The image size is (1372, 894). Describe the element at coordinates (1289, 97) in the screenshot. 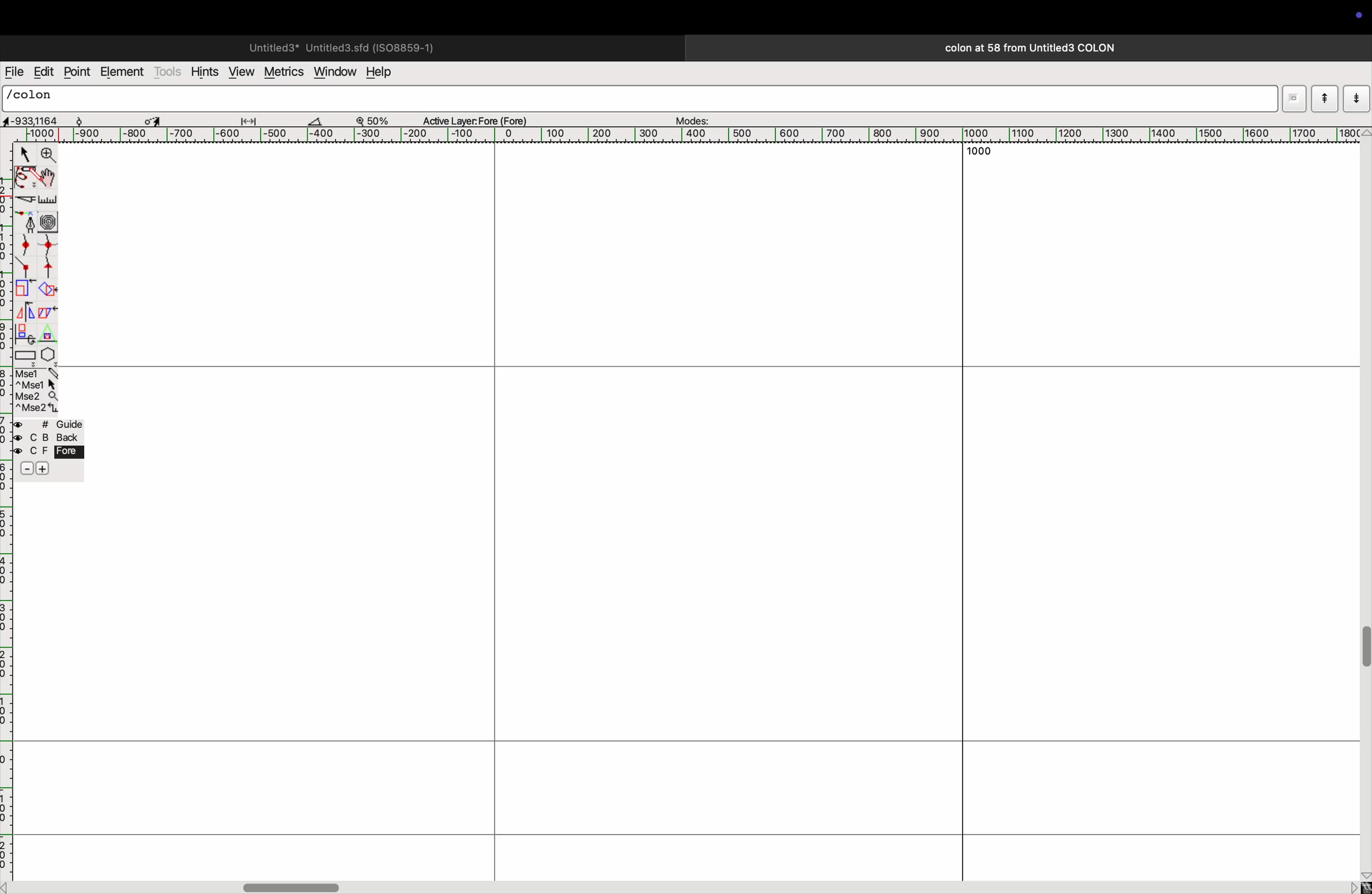

I see `Mode` at that location.